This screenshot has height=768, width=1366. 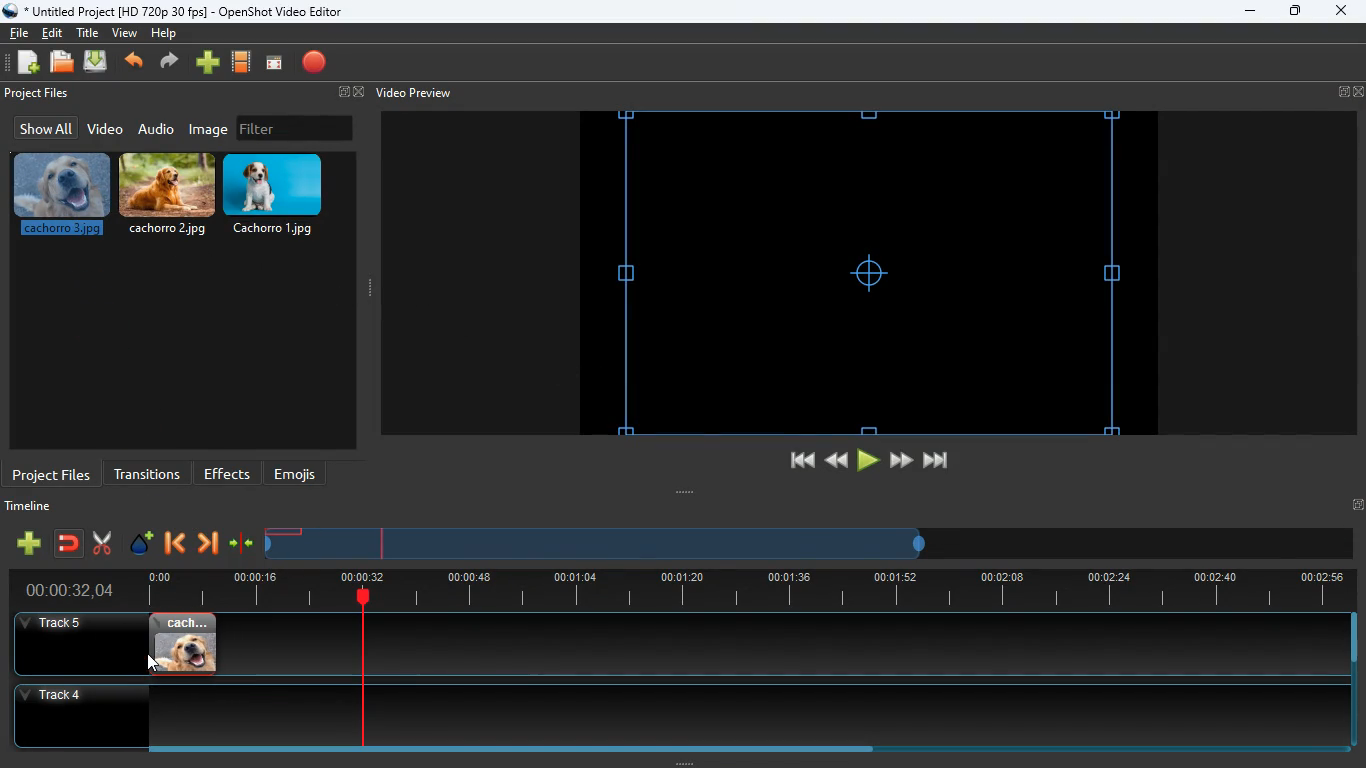 What do you see at coordinates (228, 473) in the screenshot?
I see `effects` at bounding box center [228, 473].